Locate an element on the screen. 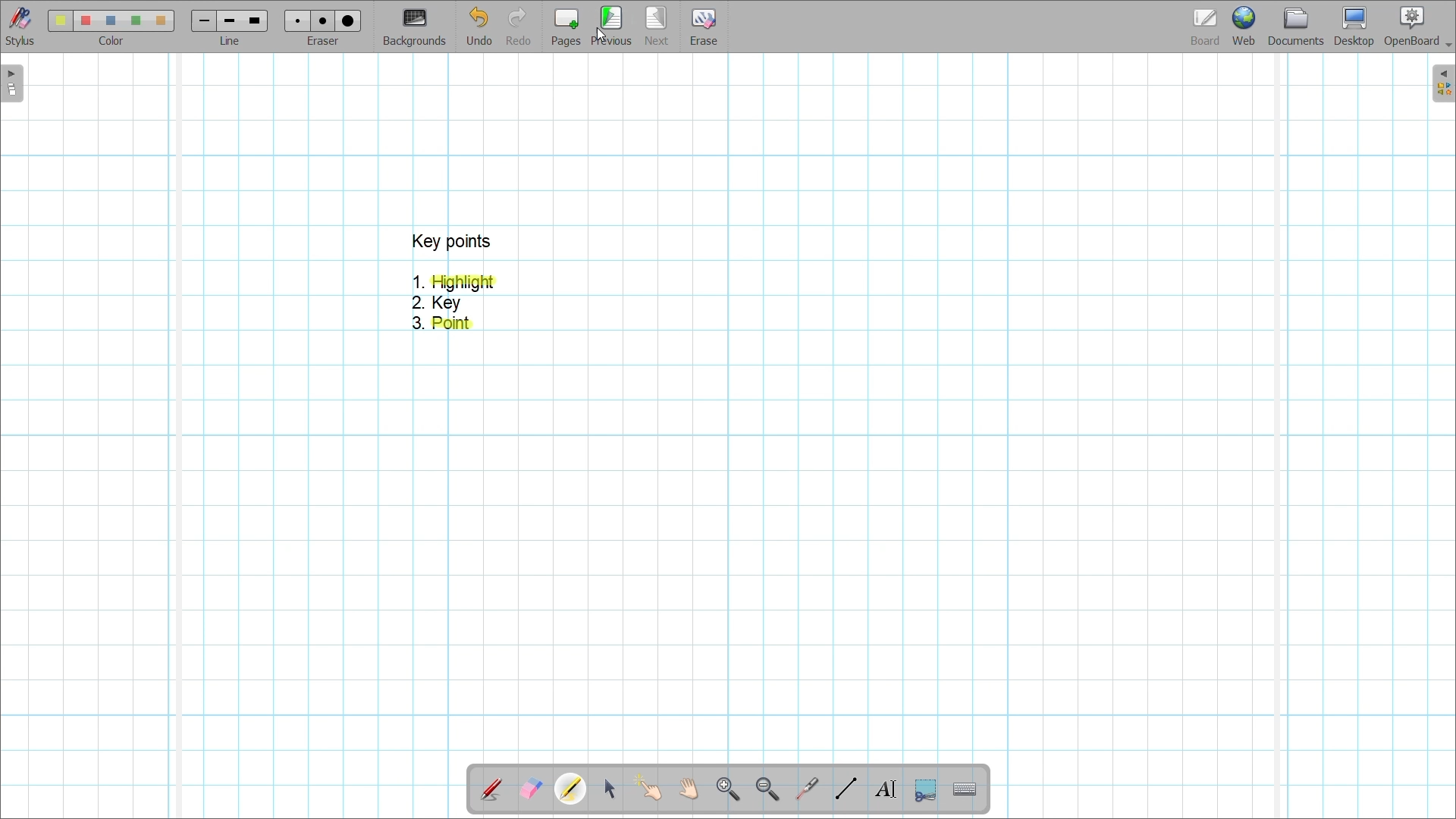 Image resolution: width=1456 pixels, height=819 pixels. Redo is located at coordinates (519, 26).